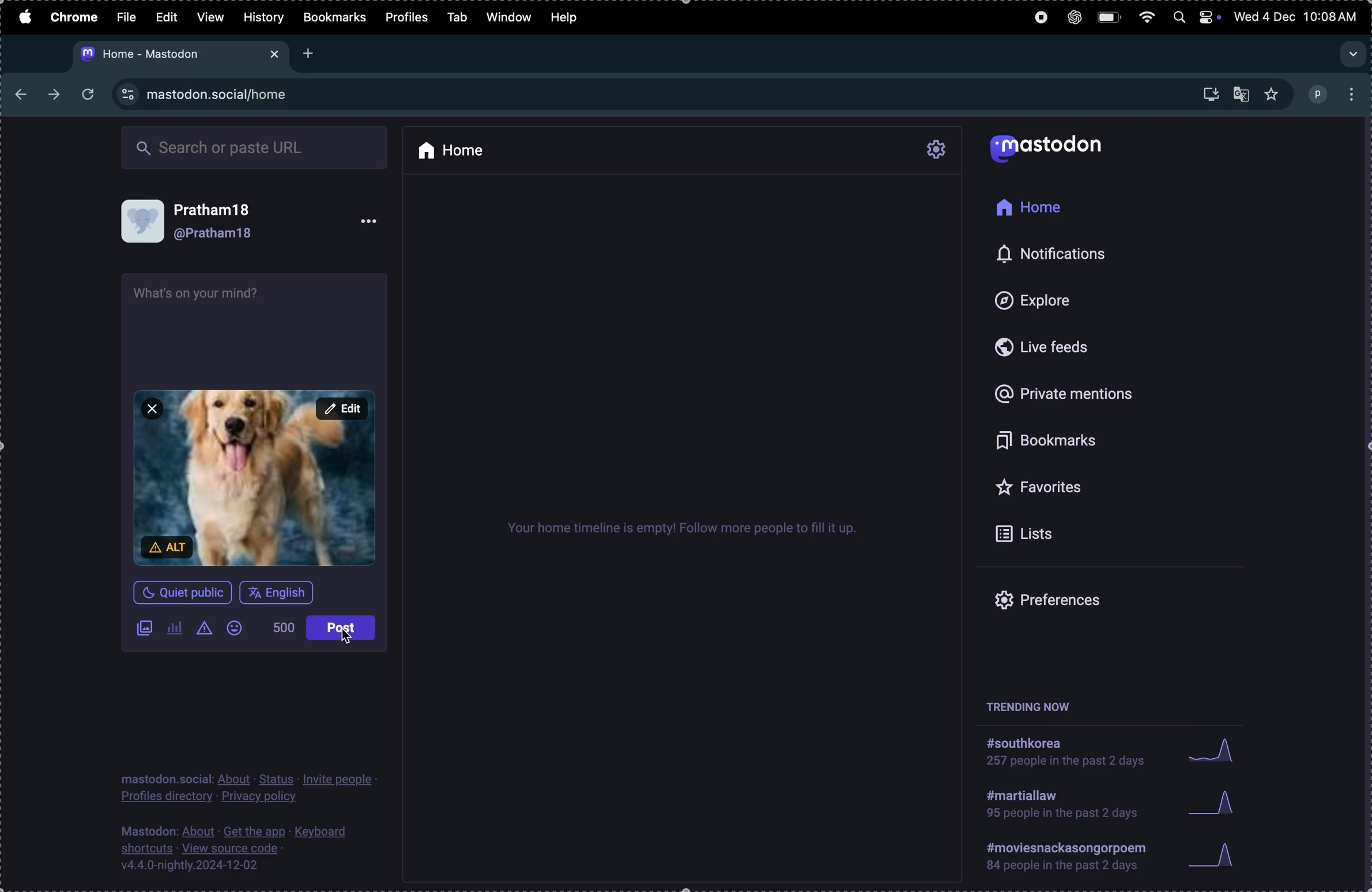  I want to click on Edit, so click(169, 16).